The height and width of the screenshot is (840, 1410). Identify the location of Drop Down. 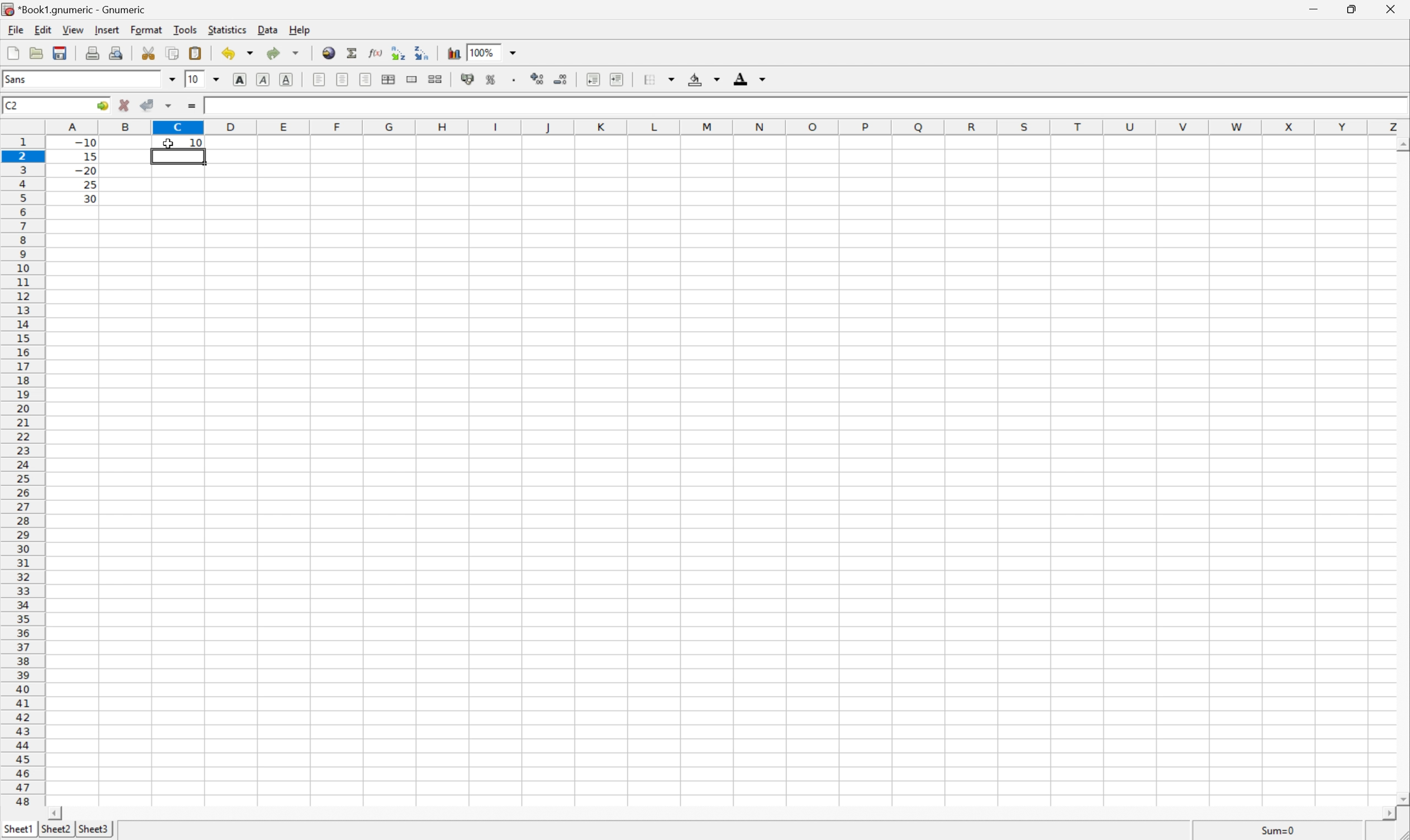
(218, 78).